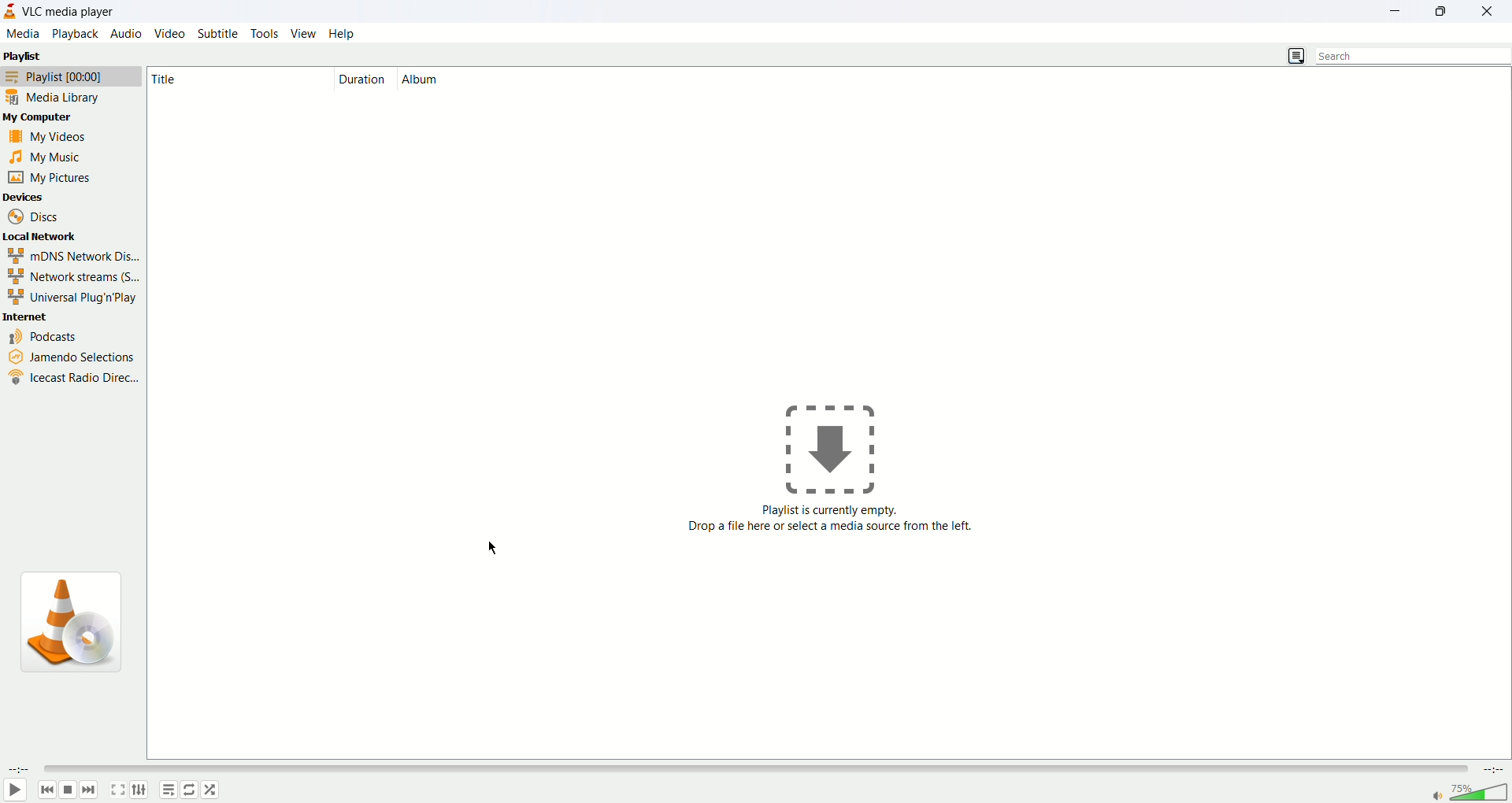 The image size is (1512, 803). What do you see at coordinates (358, 79) in the screenshot?
I see `duration` at bounding box center [358, 79].